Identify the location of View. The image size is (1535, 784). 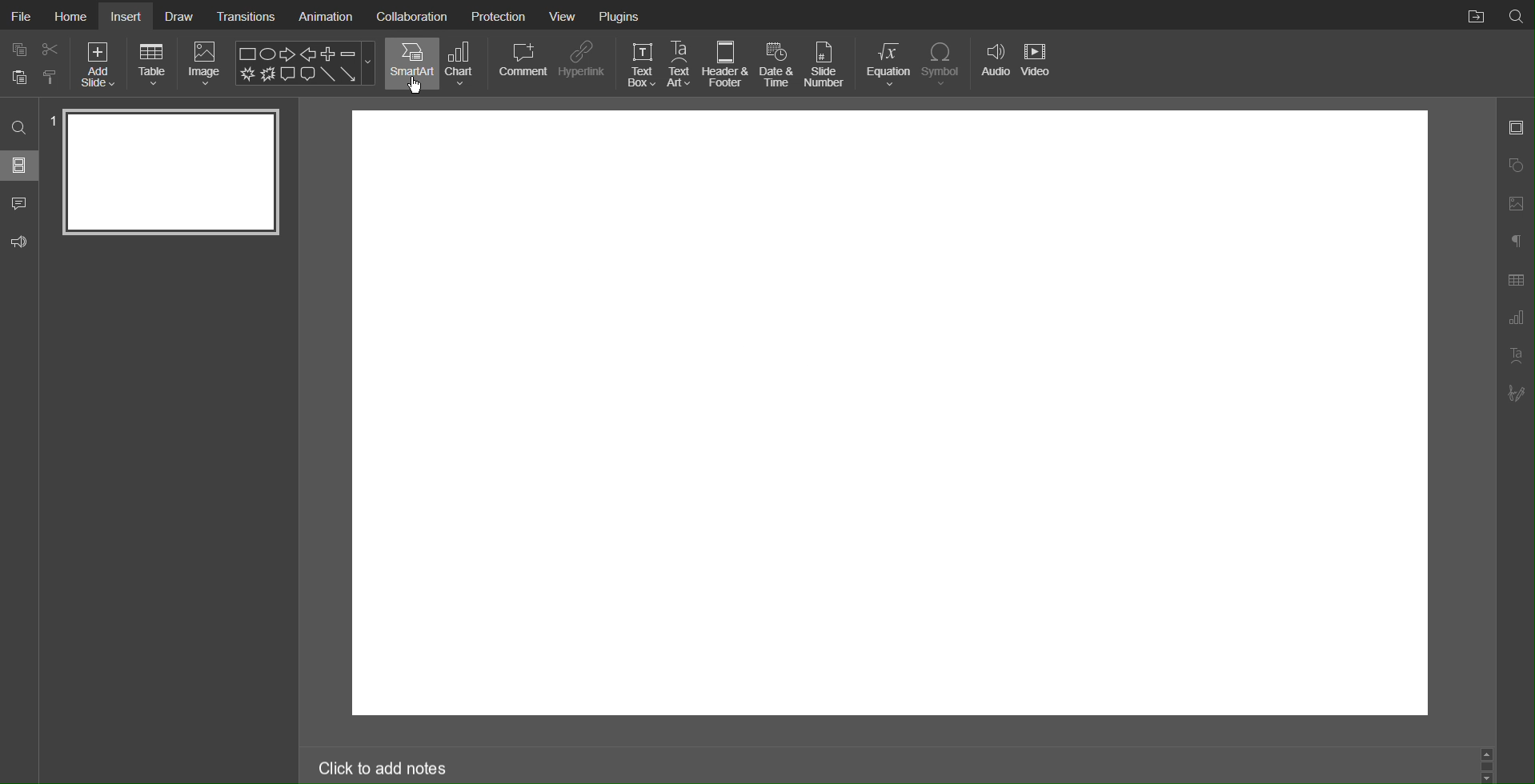
(563, 15).